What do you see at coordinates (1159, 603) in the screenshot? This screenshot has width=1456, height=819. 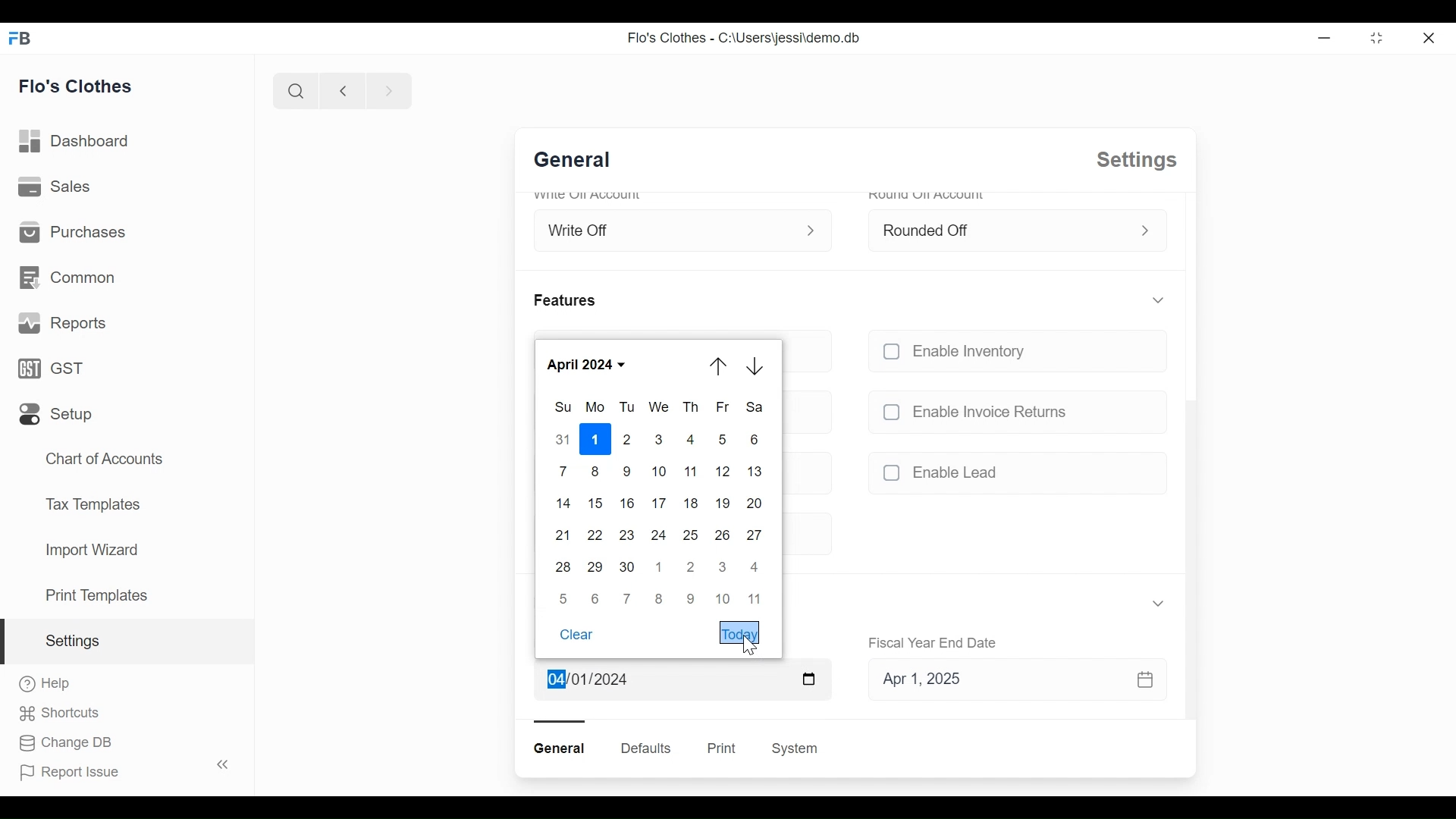 I see `Expand` at bounding box center [1159, 603].